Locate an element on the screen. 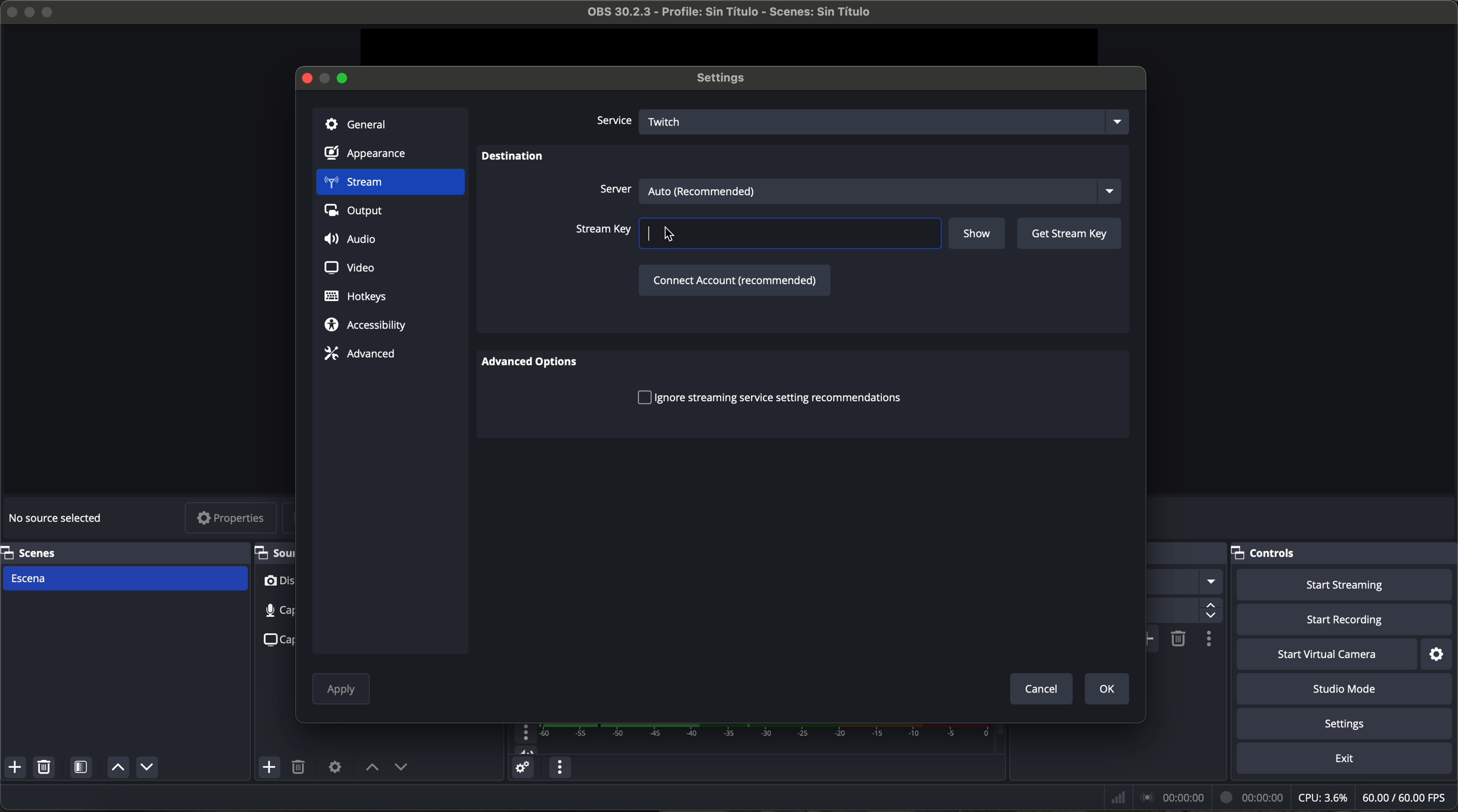  Twitch is located at coordinates (887, 121).